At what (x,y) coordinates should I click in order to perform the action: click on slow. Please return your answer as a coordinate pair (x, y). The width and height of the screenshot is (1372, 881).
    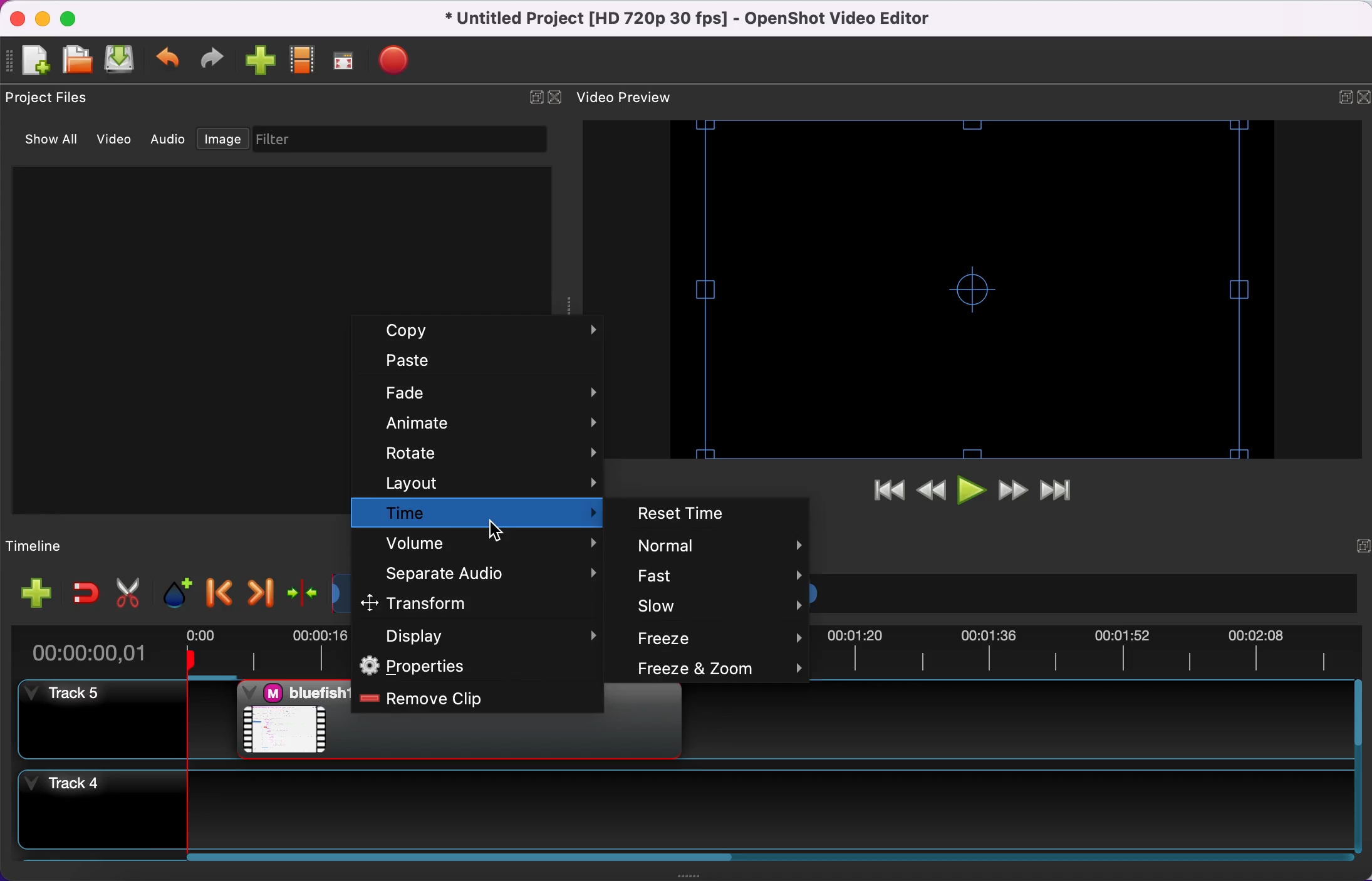
    Looking at the image, I should click on (720, 607).